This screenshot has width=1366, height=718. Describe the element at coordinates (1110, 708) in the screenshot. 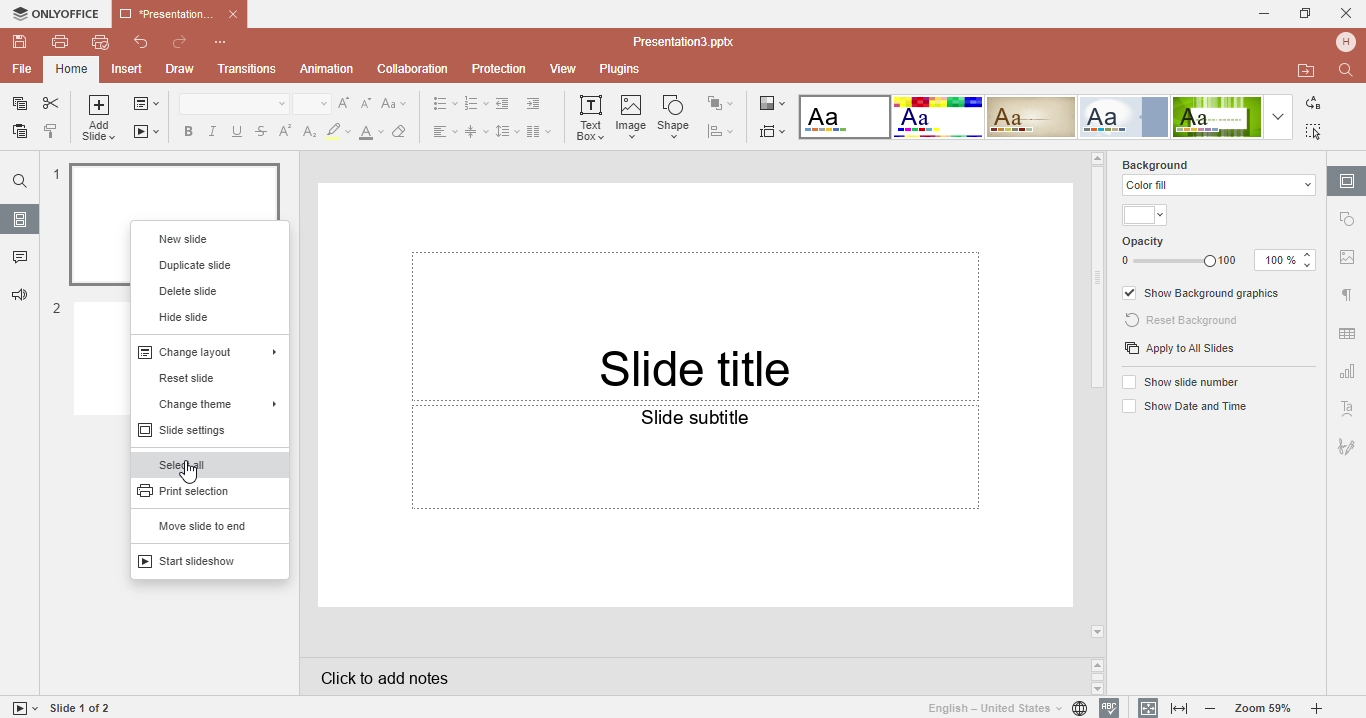

I see `Spell checking` at that location.